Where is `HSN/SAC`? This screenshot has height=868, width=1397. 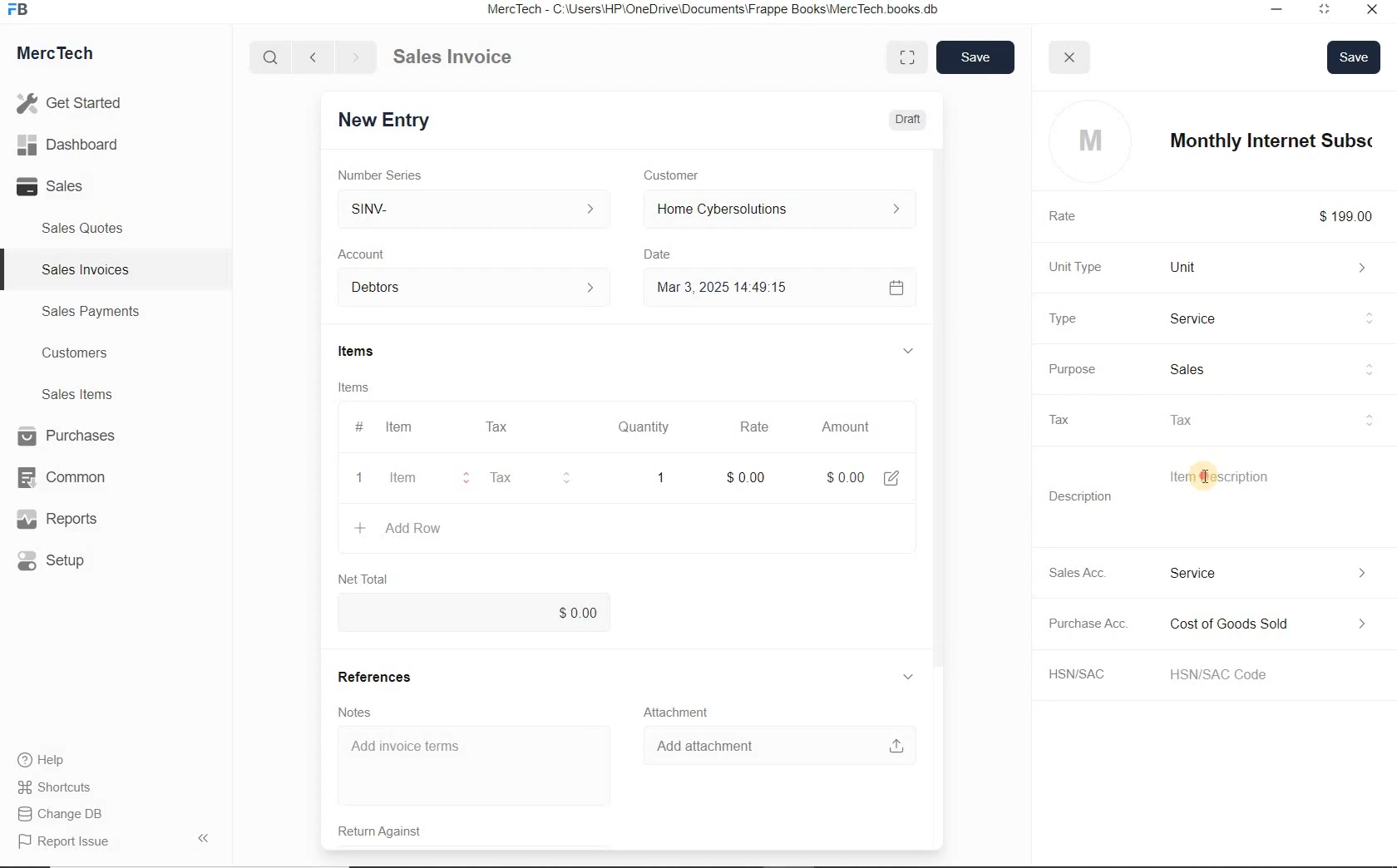
HSN/SAC is located at coordinates (1078, 674).